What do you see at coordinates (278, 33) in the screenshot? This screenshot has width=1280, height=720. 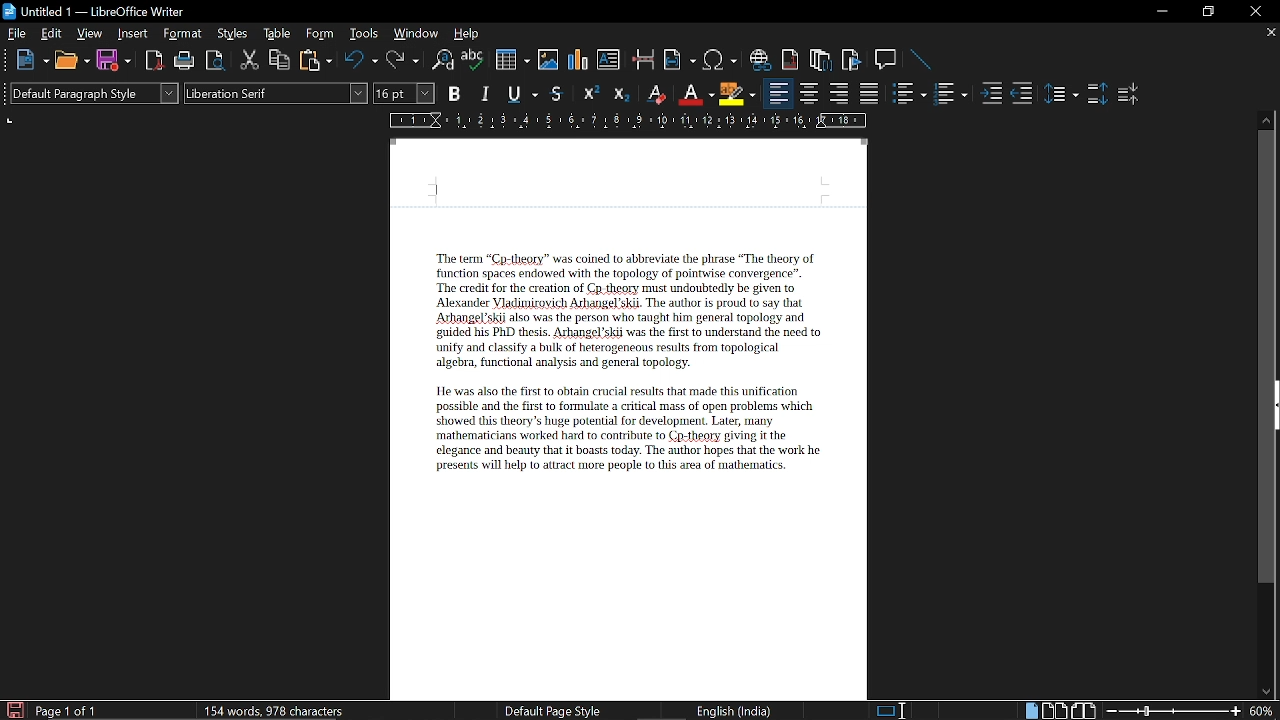 I see `table` at bounding box center [278, 33].